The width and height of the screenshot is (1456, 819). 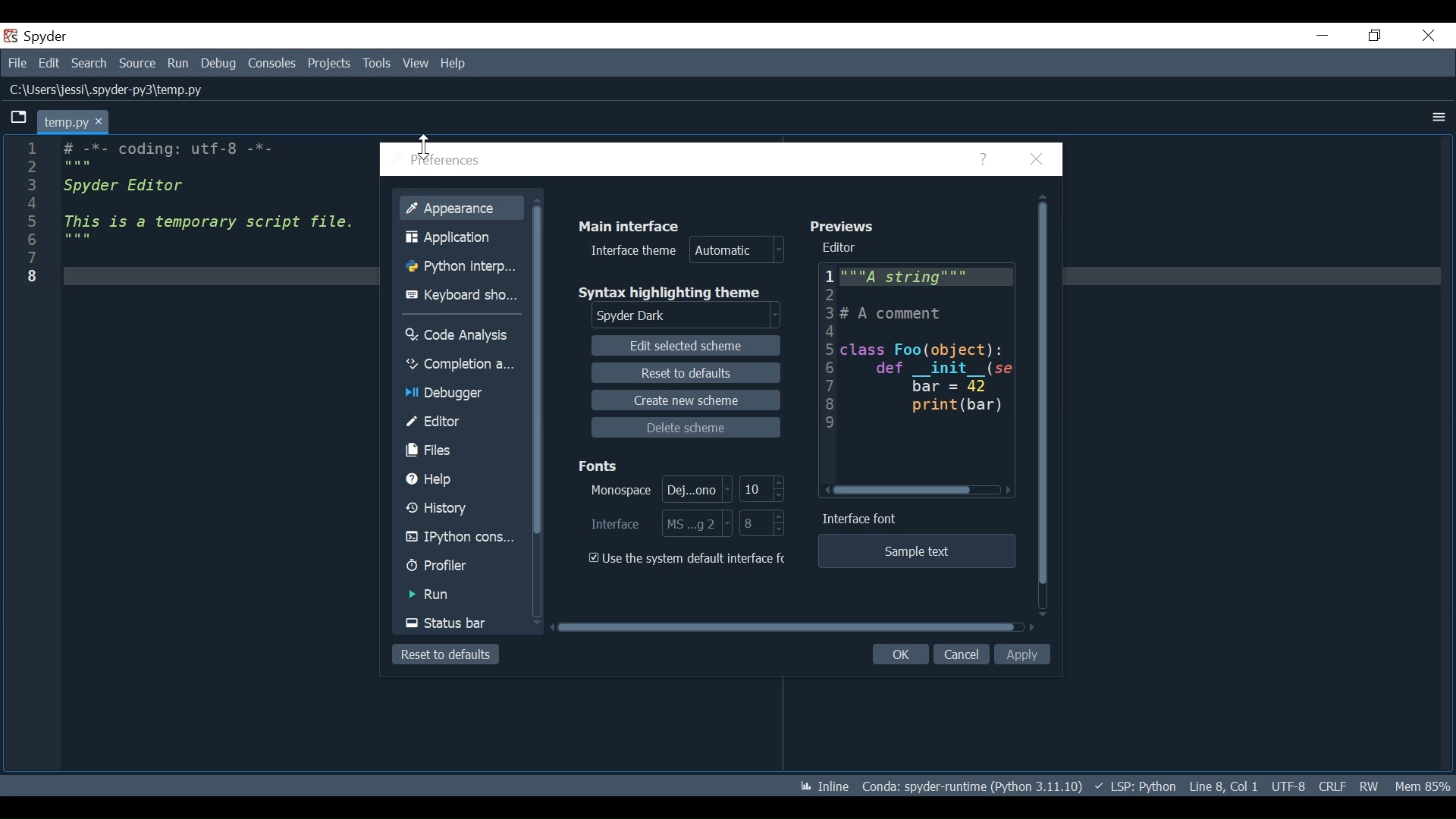 I want to click on Consoles, so click(x=274, y=65).